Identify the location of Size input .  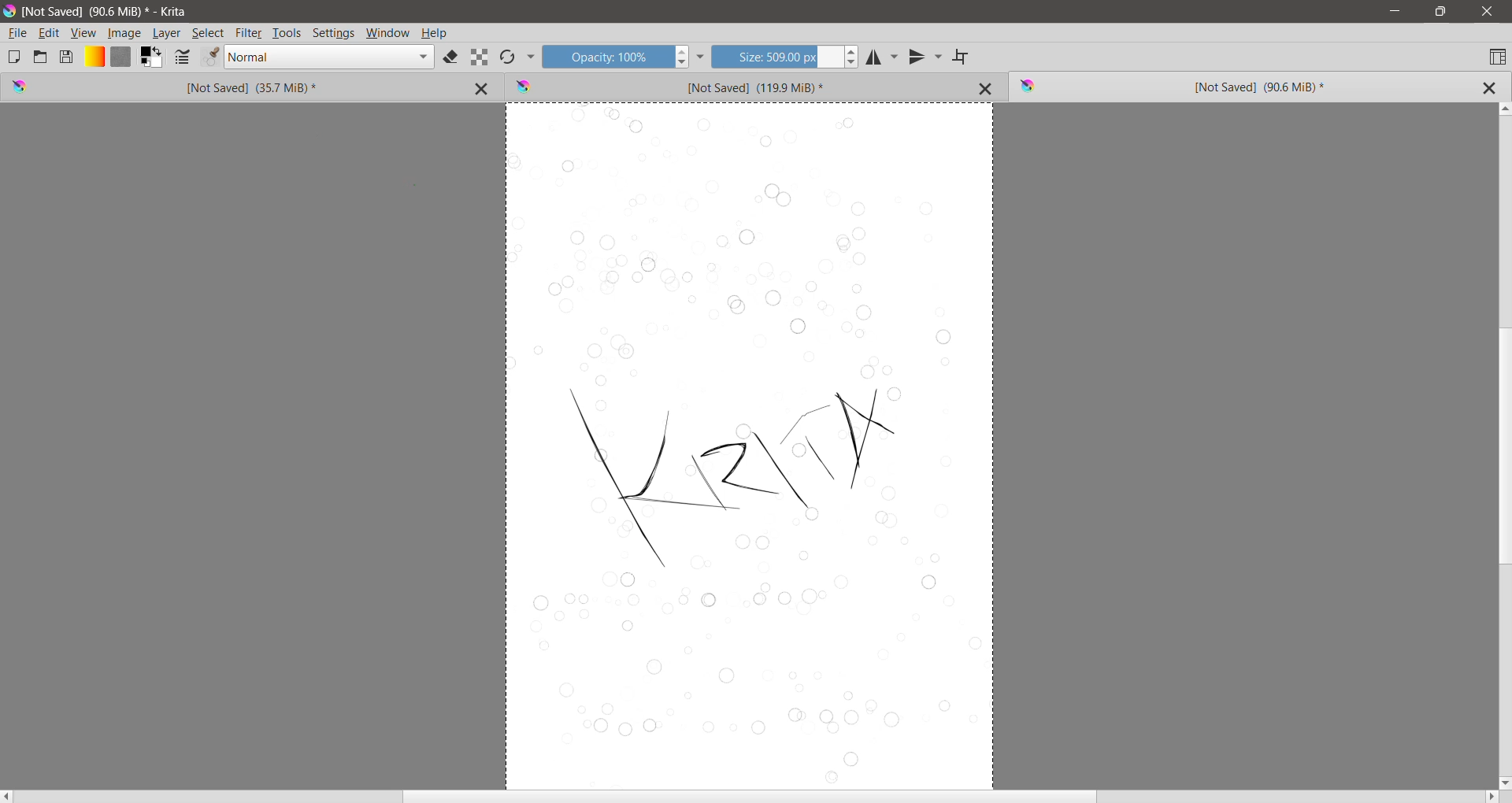
(776, 56).